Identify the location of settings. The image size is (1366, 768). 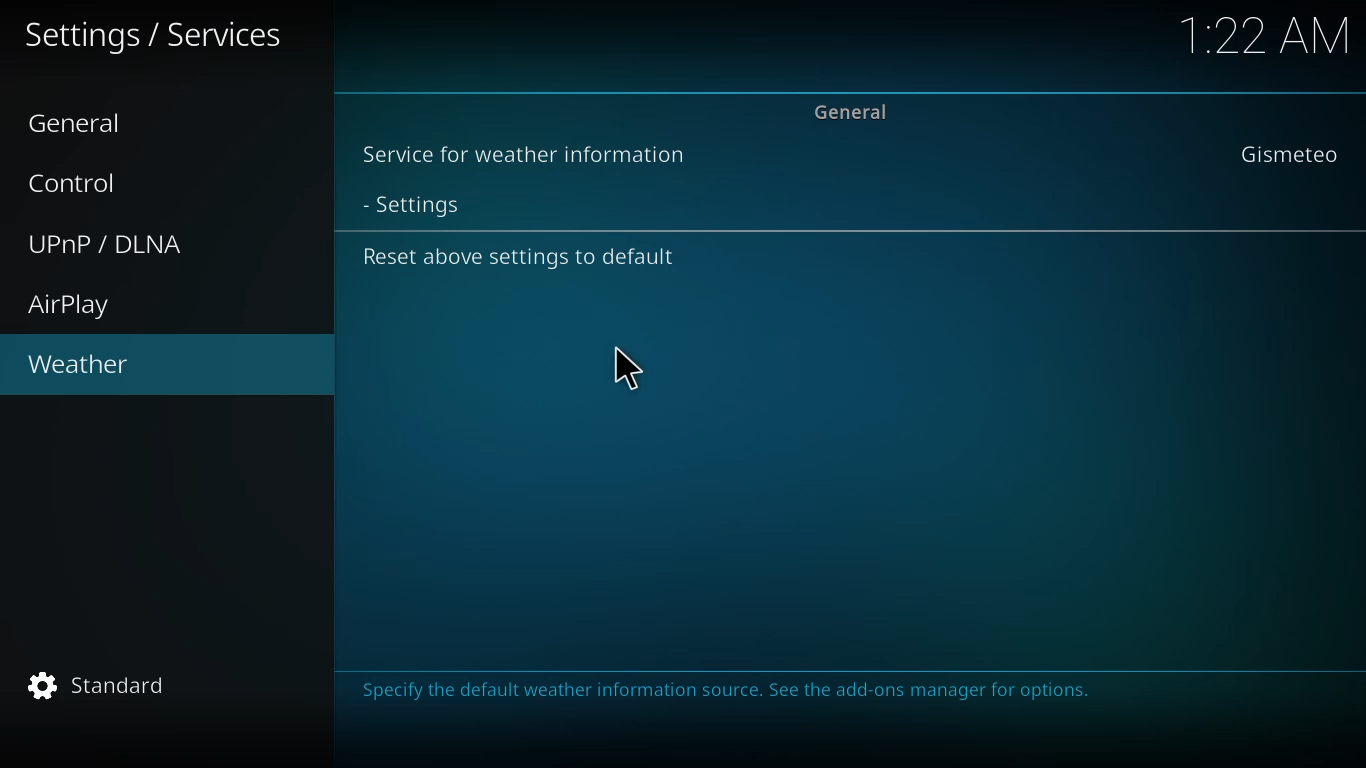
(156, 36).